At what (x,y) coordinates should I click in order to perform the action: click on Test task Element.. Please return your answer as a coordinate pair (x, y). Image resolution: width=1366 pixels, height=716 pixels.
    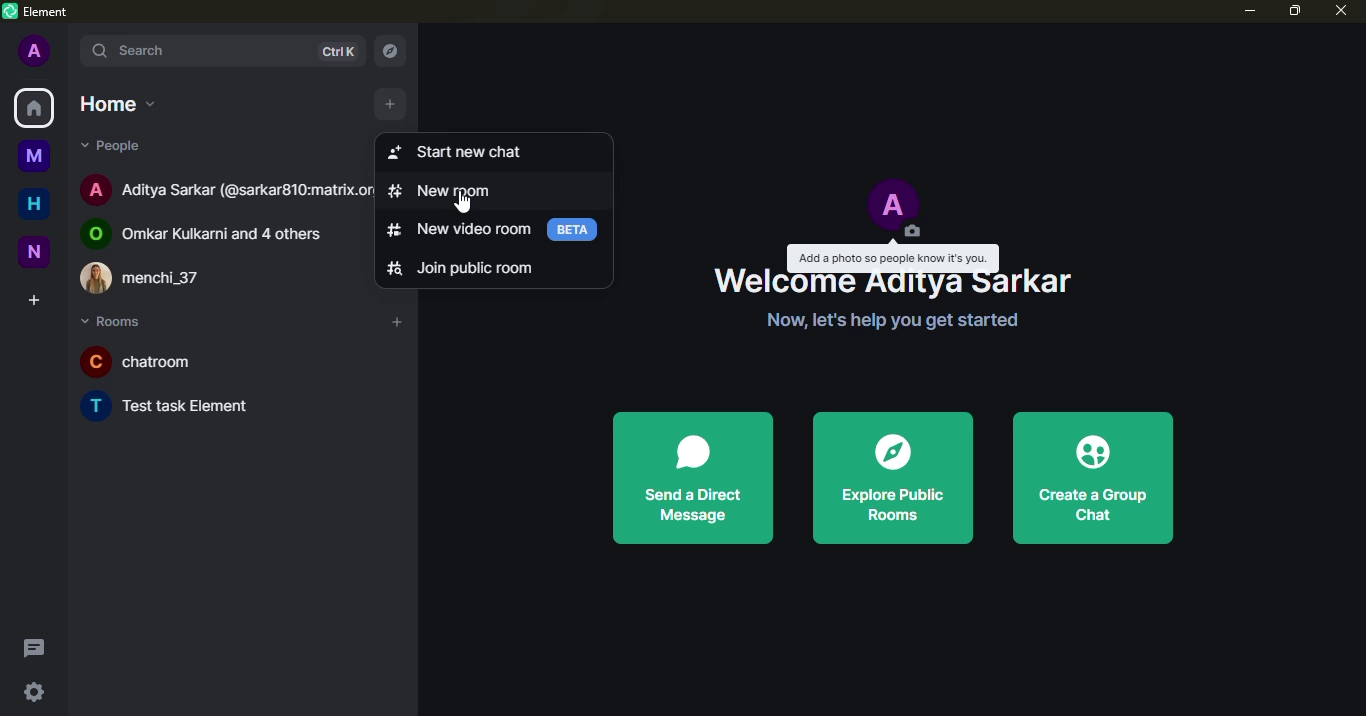
    Looking at the image, I should click on (170, 406).